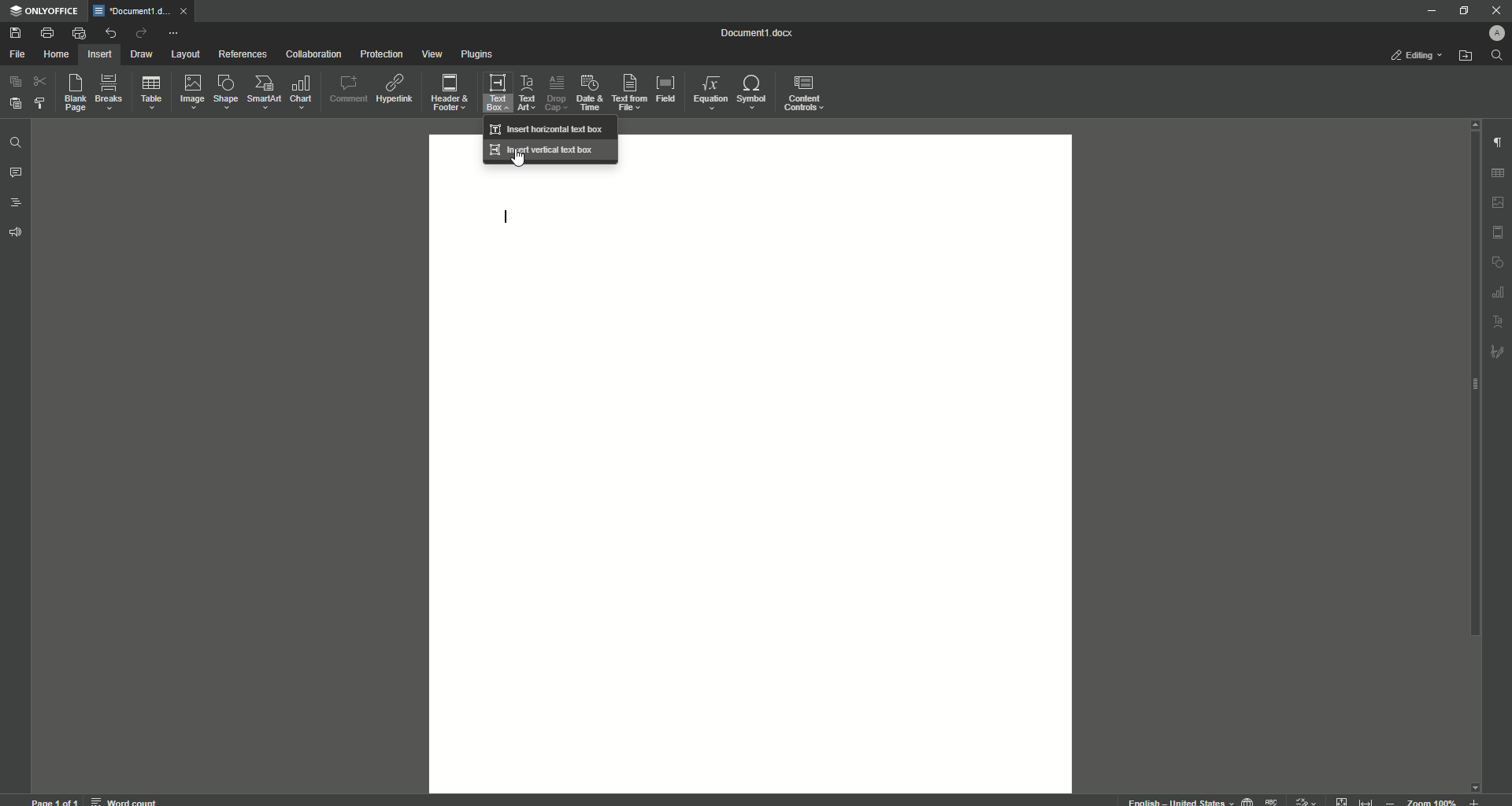  What do you see at coordinates (17, 34) in the screenshot?
I see `Save` at bounding box center [17, 34].